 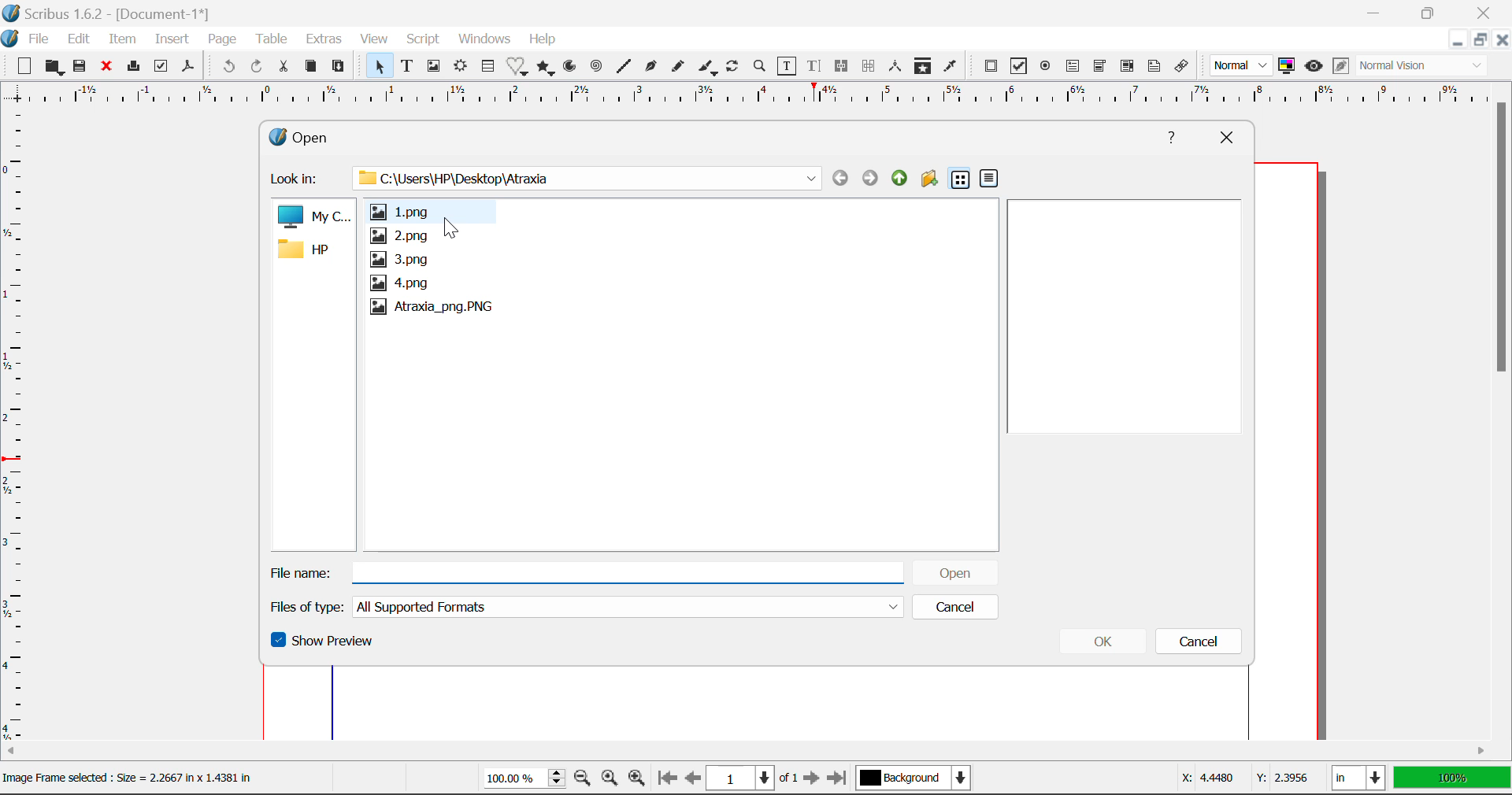 I want to click on Close, so click(x=1225, y=136).